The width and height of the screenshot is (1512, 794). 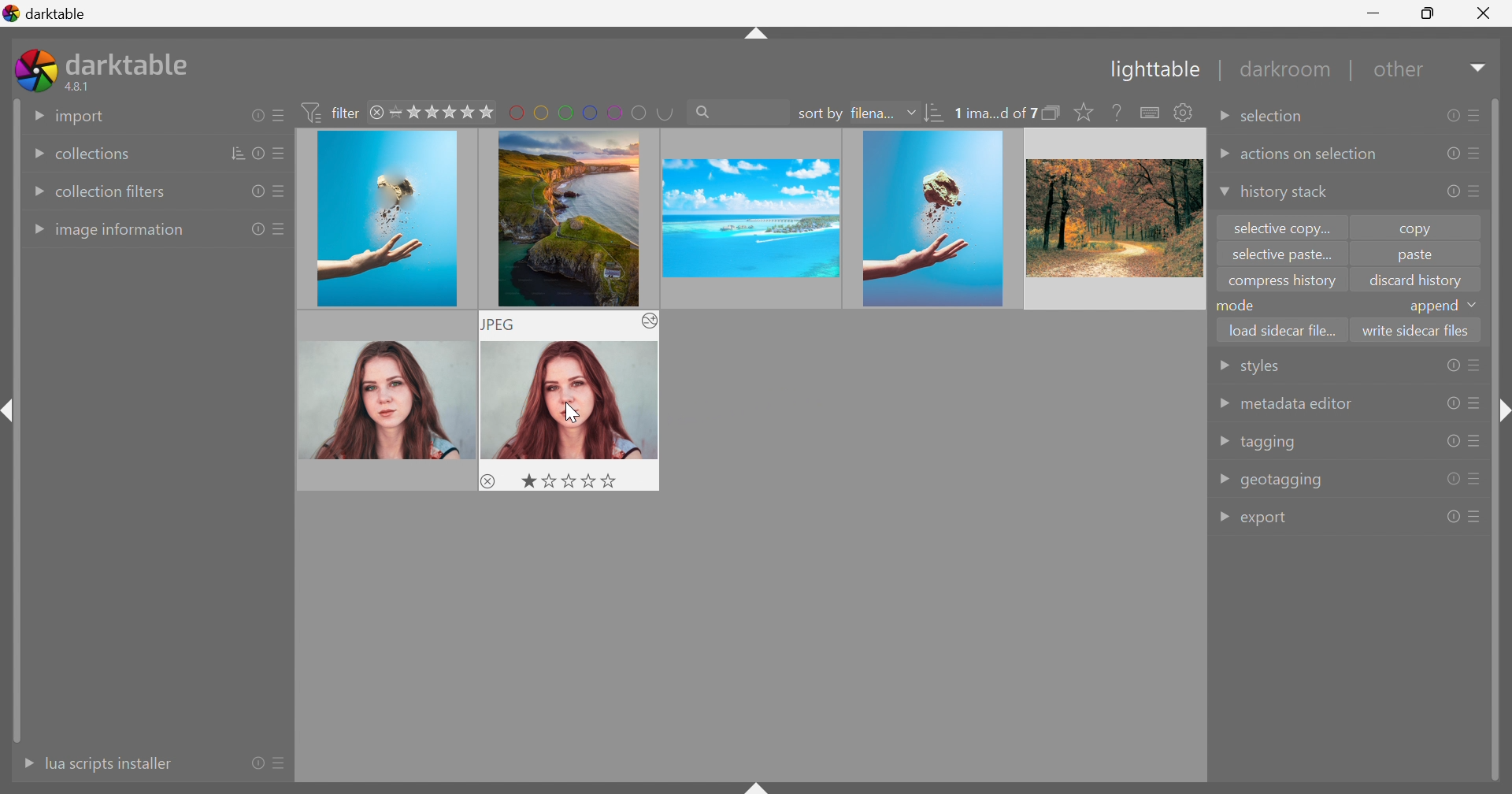 I want to click on darkroom, so click(x=1288, y=70).